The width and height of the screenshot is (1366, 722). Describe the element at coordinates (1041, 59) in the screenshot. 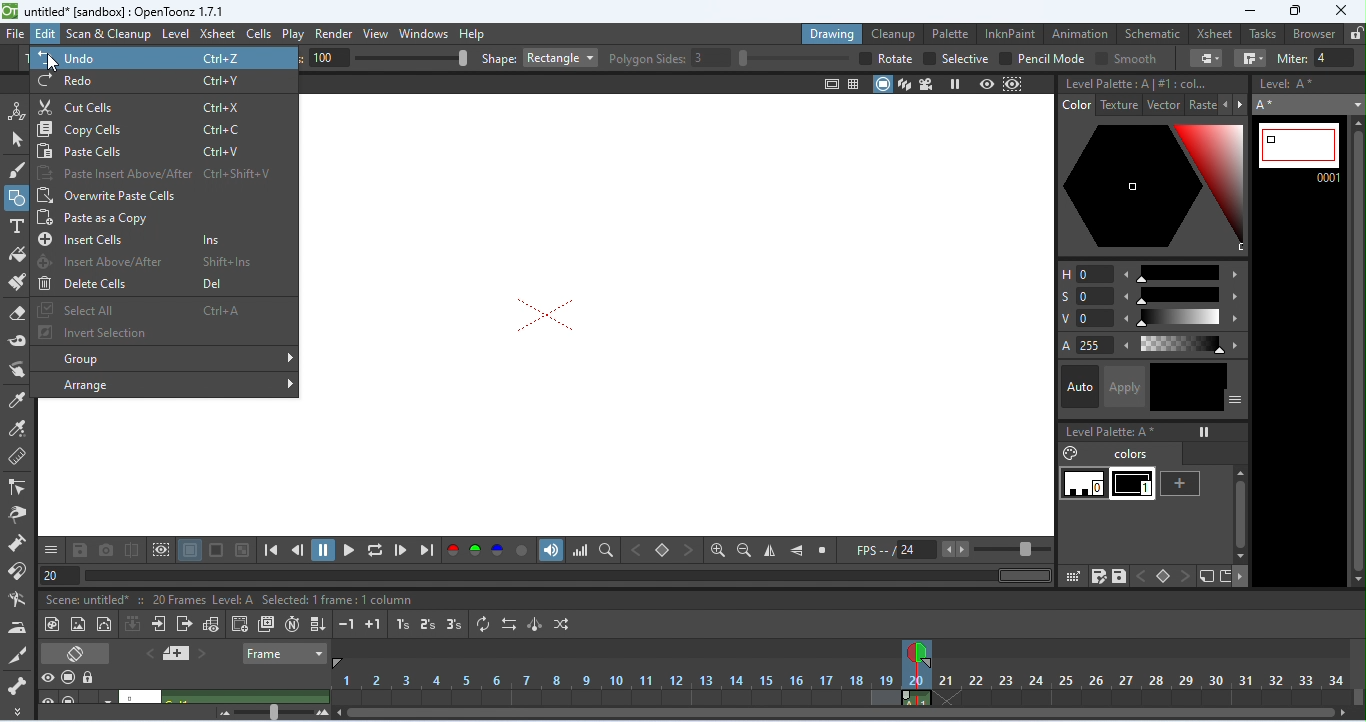

I see `pencil mode` at that location.